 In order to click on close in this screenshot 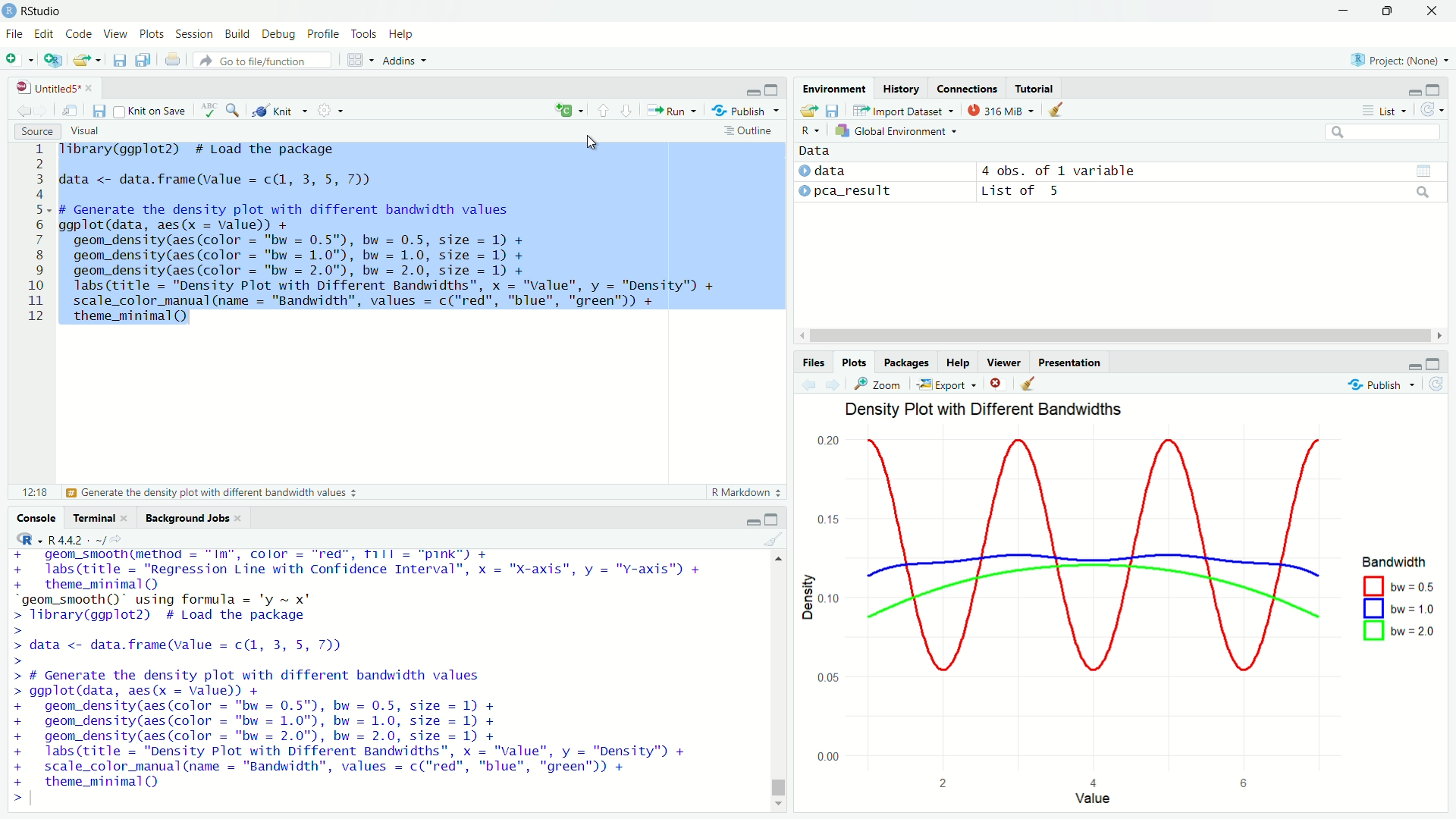, I will do `click(239, 519)`.